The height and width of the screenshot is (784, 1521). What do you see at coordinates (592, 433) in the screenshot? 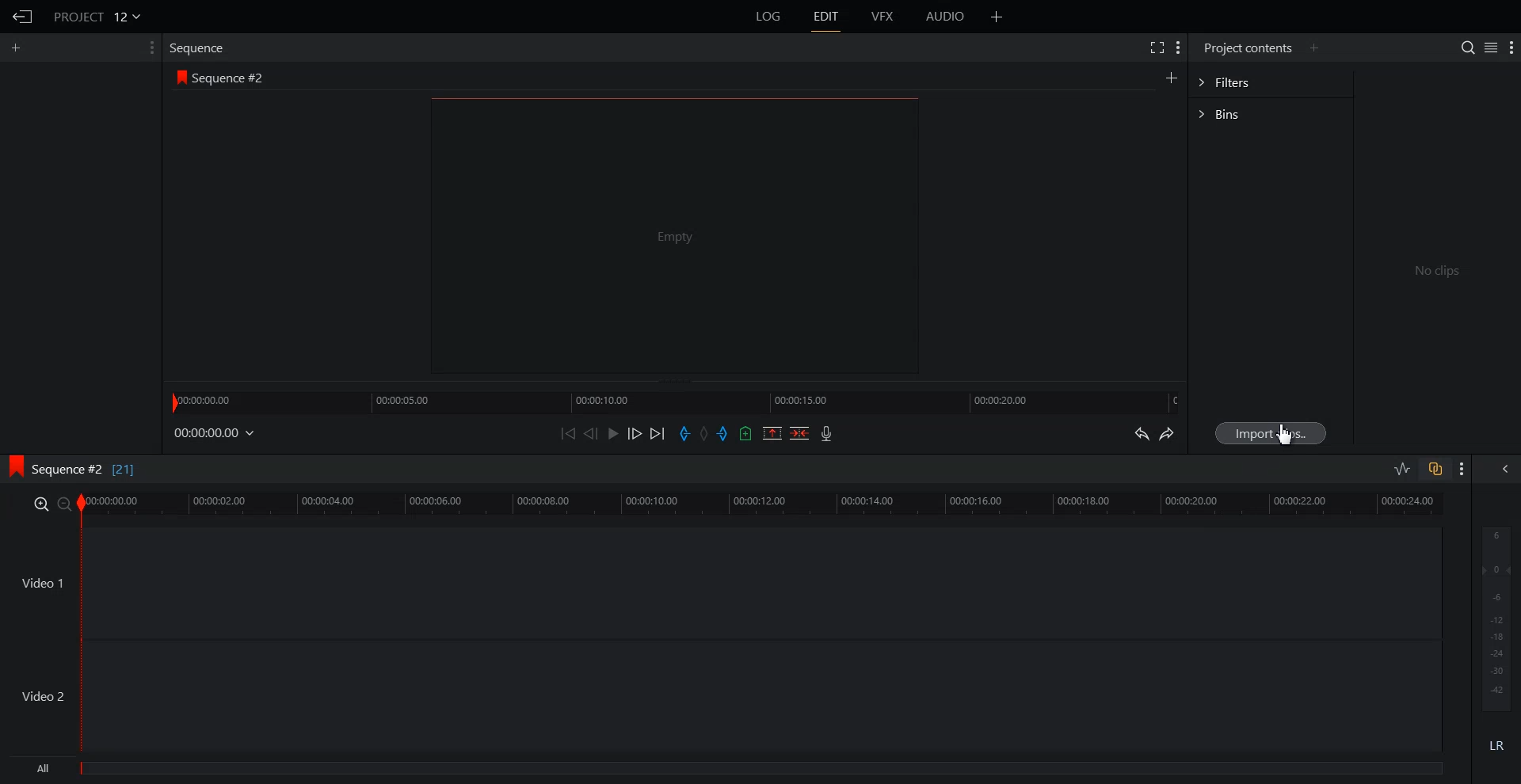
I see `Nudge One Frame Back` at bounding box center [592, 433].